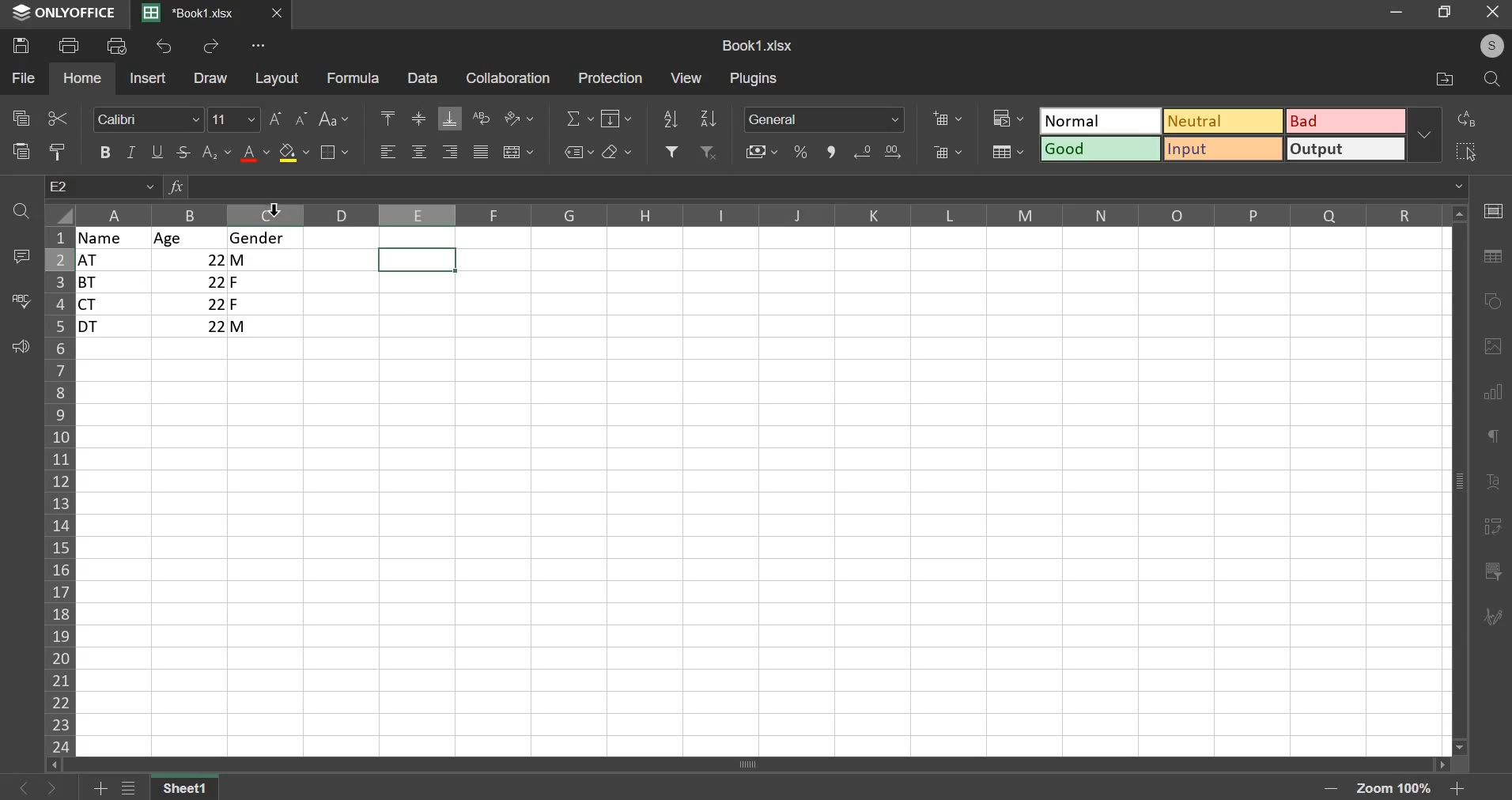 The image size is (1512, 800). Describe the element at coordinates (211, 47) in the screenshot. I see `redo` at that location.